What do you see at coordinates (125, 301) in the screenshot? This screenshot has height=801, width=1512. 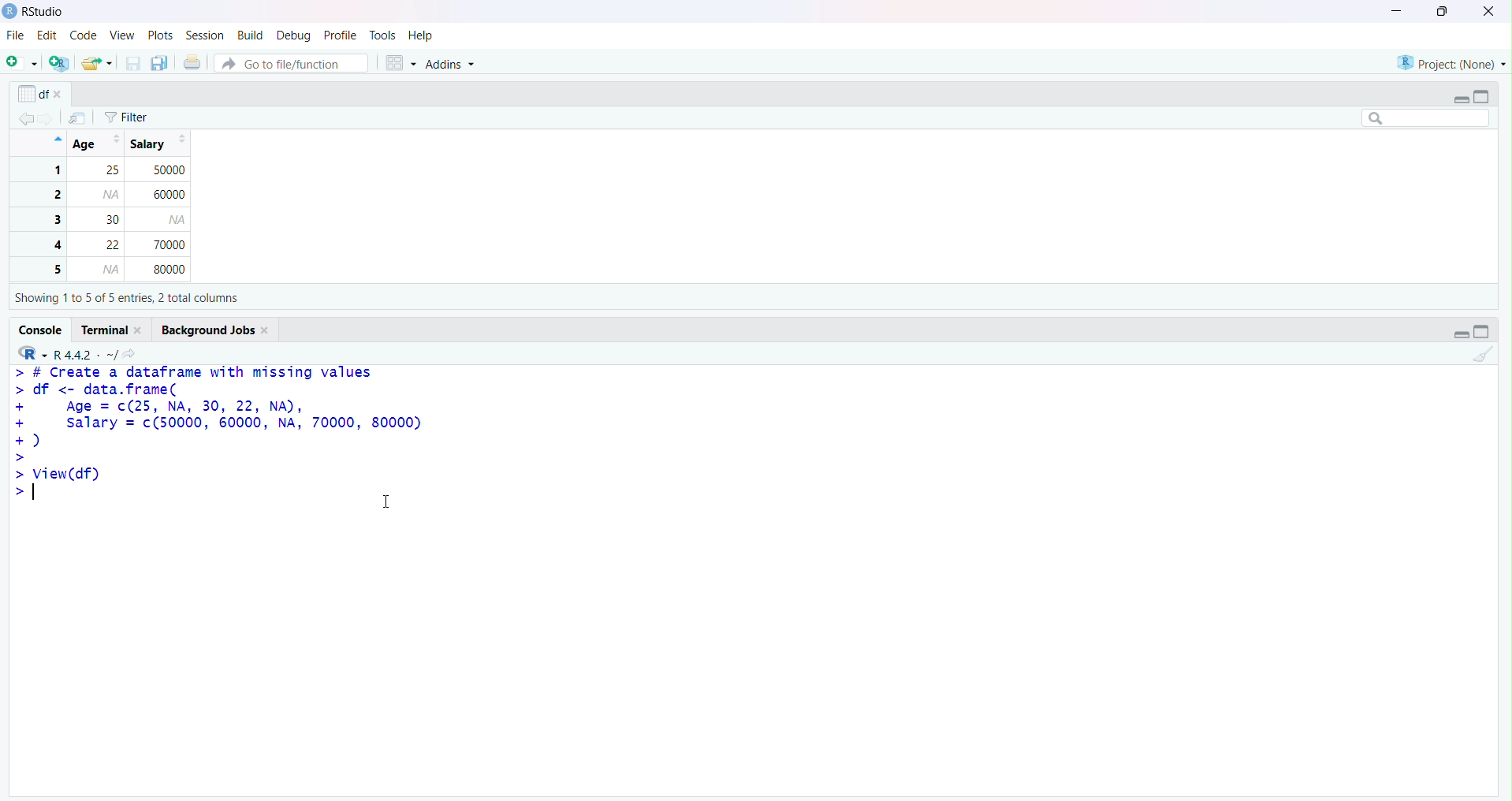 I see `Showing 110 5 of 5 entries, 2 total columns` at bounding box center [125, 301].